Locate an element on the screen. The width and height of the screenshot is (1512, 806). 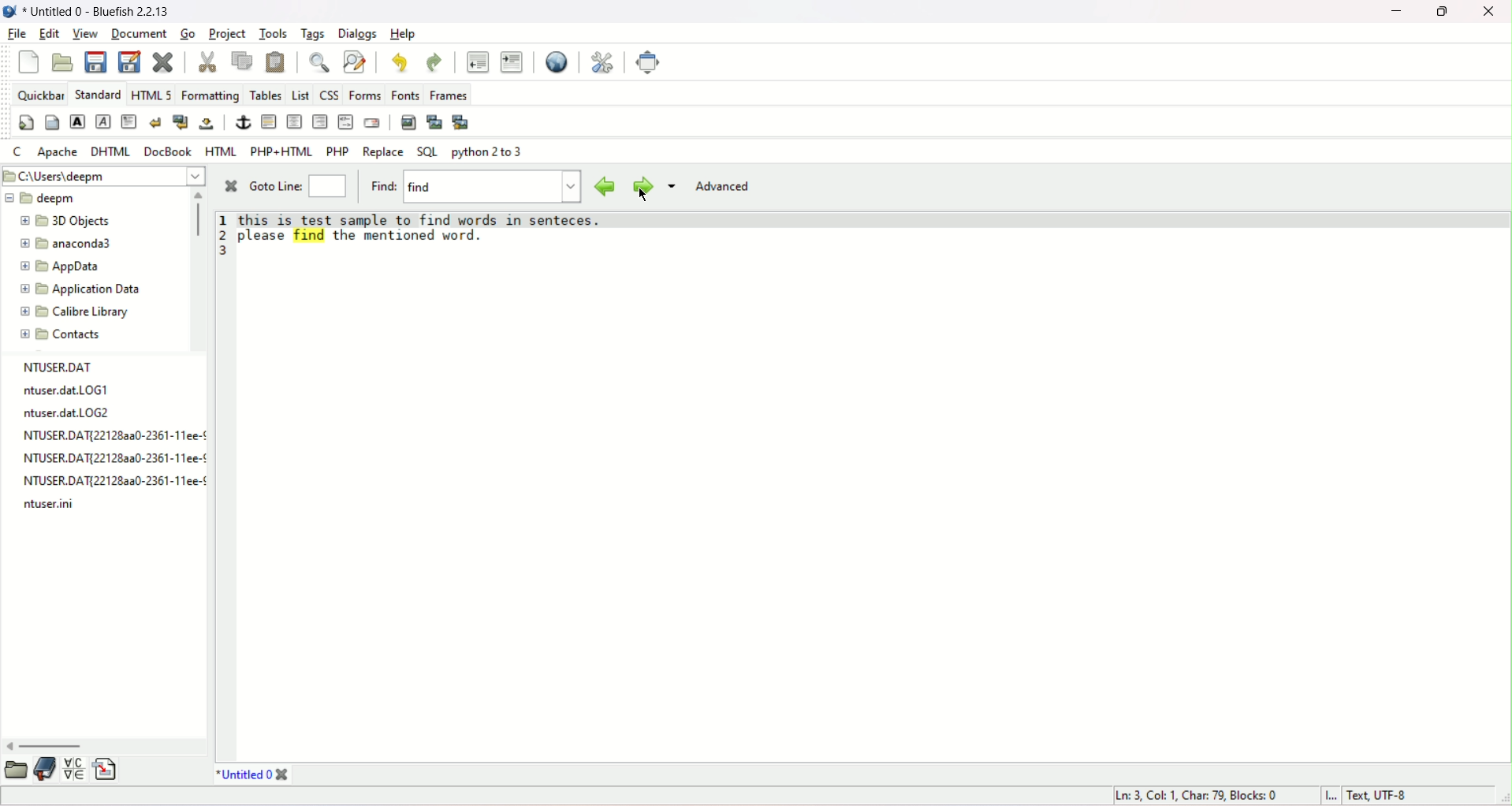
save current file is located at coordinates (94, 61).